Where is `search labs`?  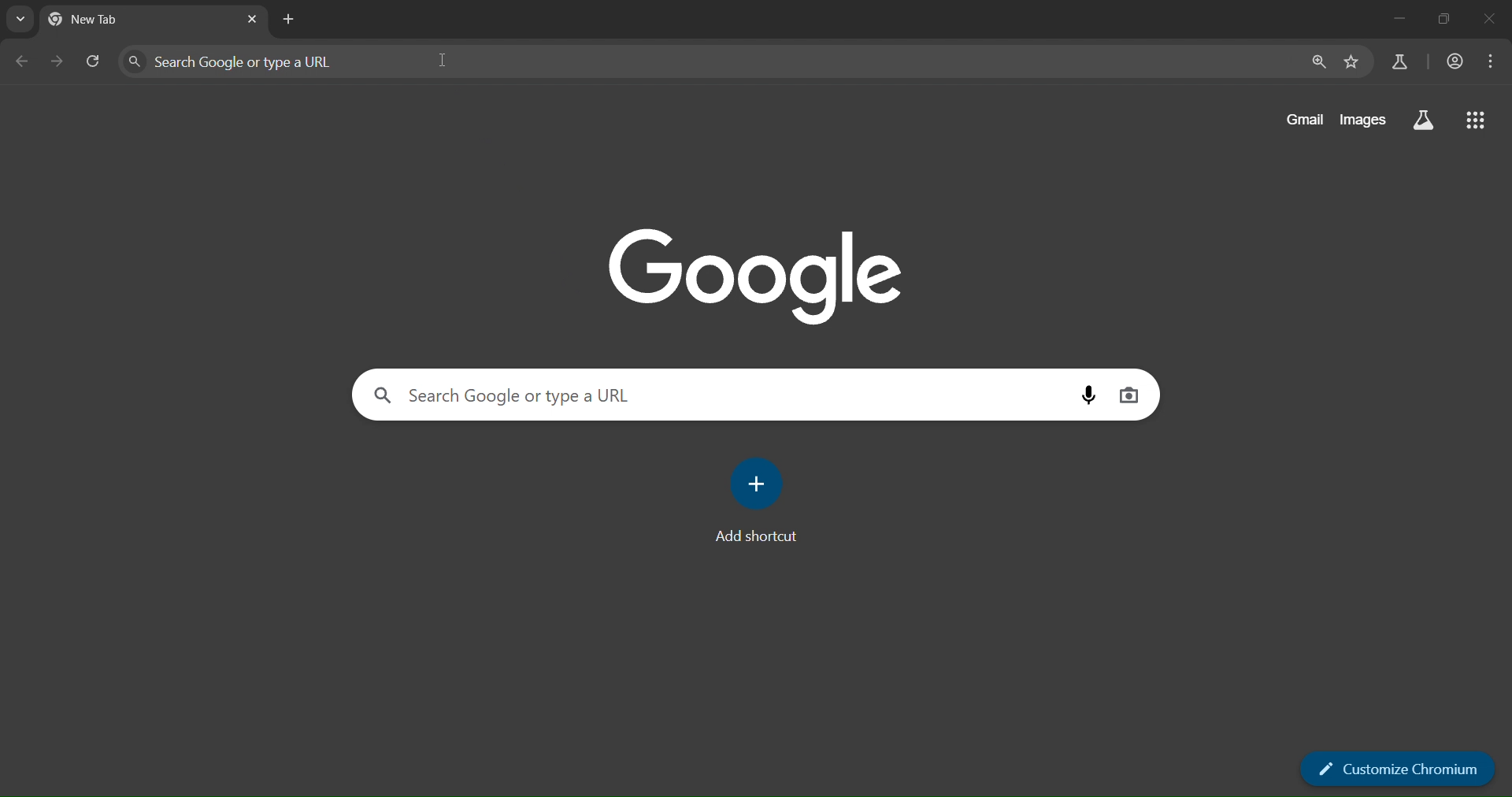 search labs is located at coordinates (1398, 61).